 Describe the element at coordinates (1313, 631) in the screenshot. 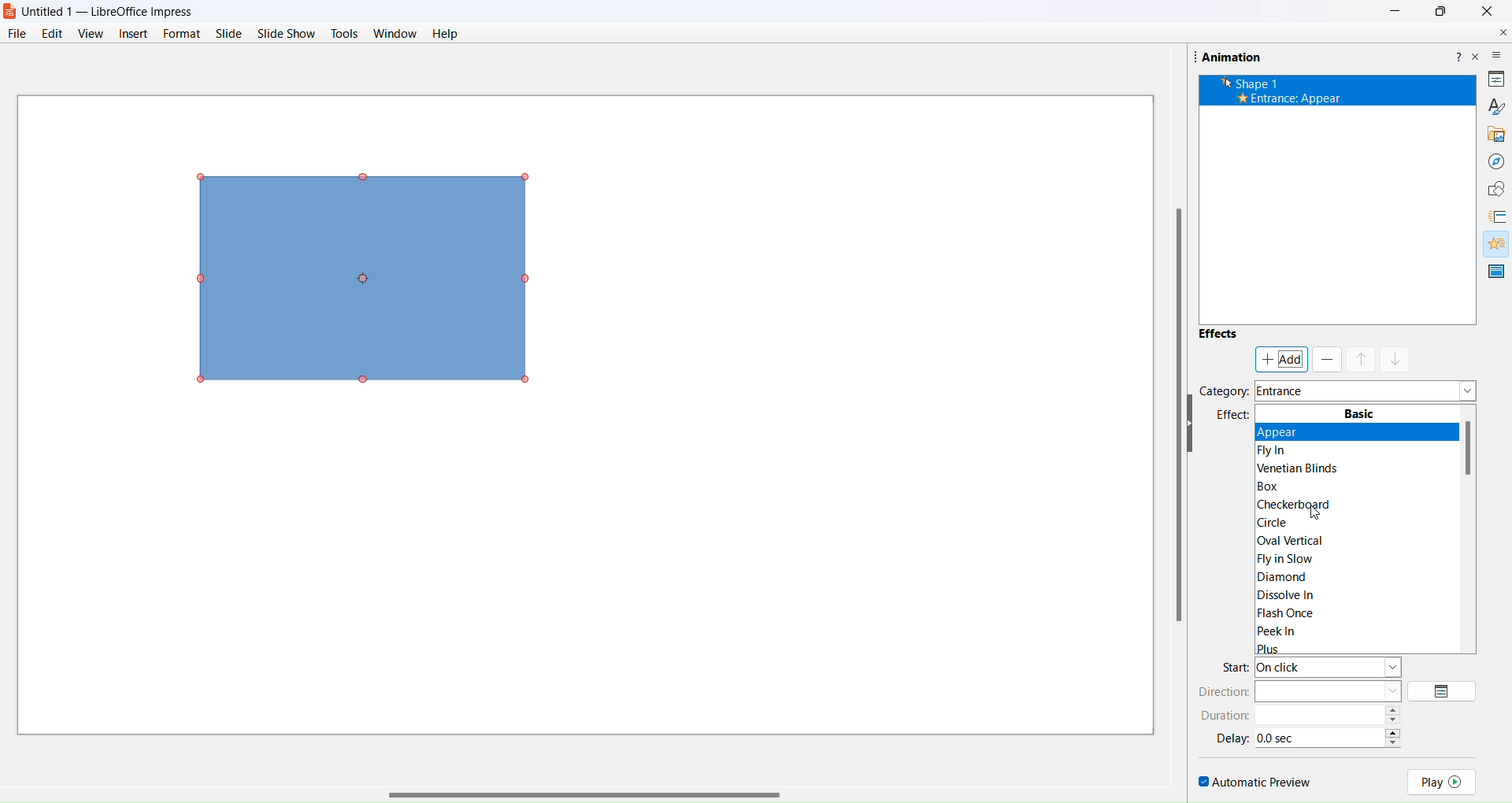

I see `Peek In` at that location.